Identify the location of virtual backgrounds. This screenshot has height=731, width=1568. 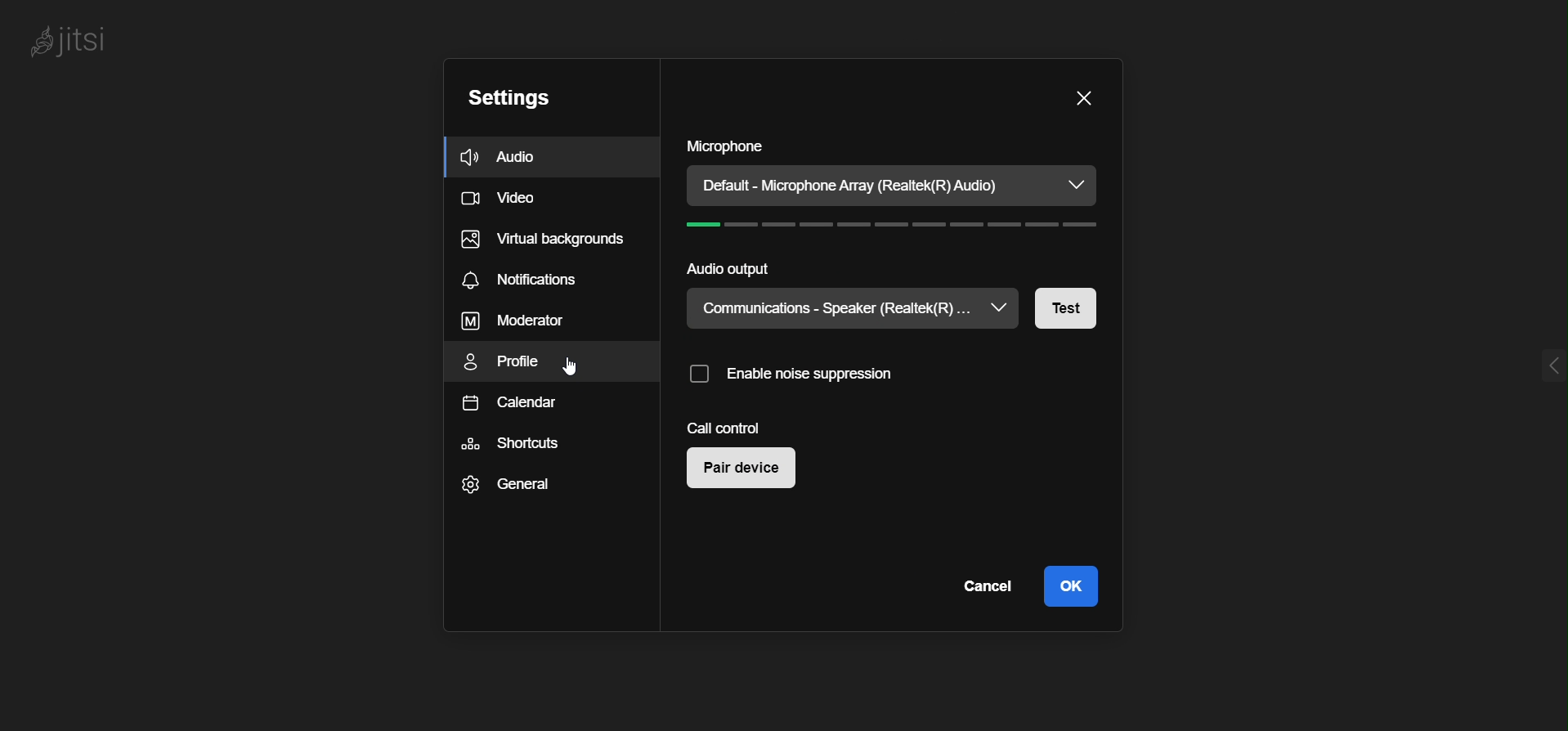
(548, 240).